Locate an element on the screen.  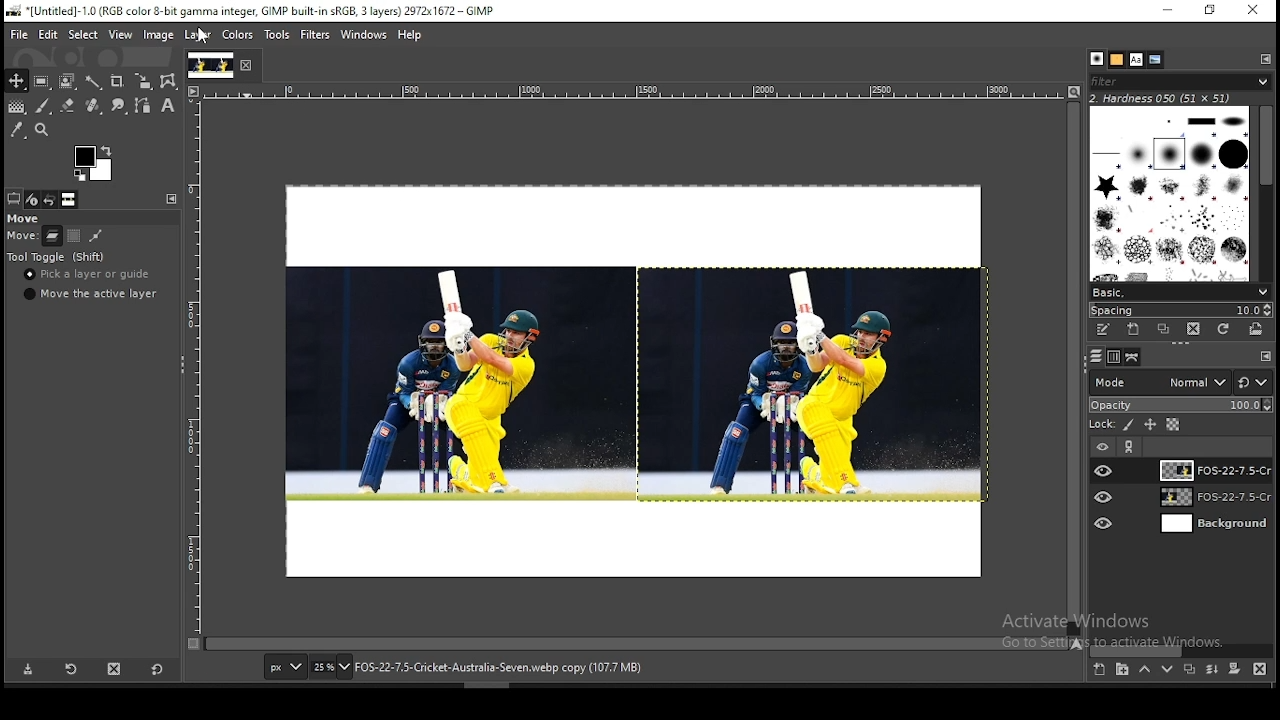
restore to defaults is located at coordinates (159, 668).